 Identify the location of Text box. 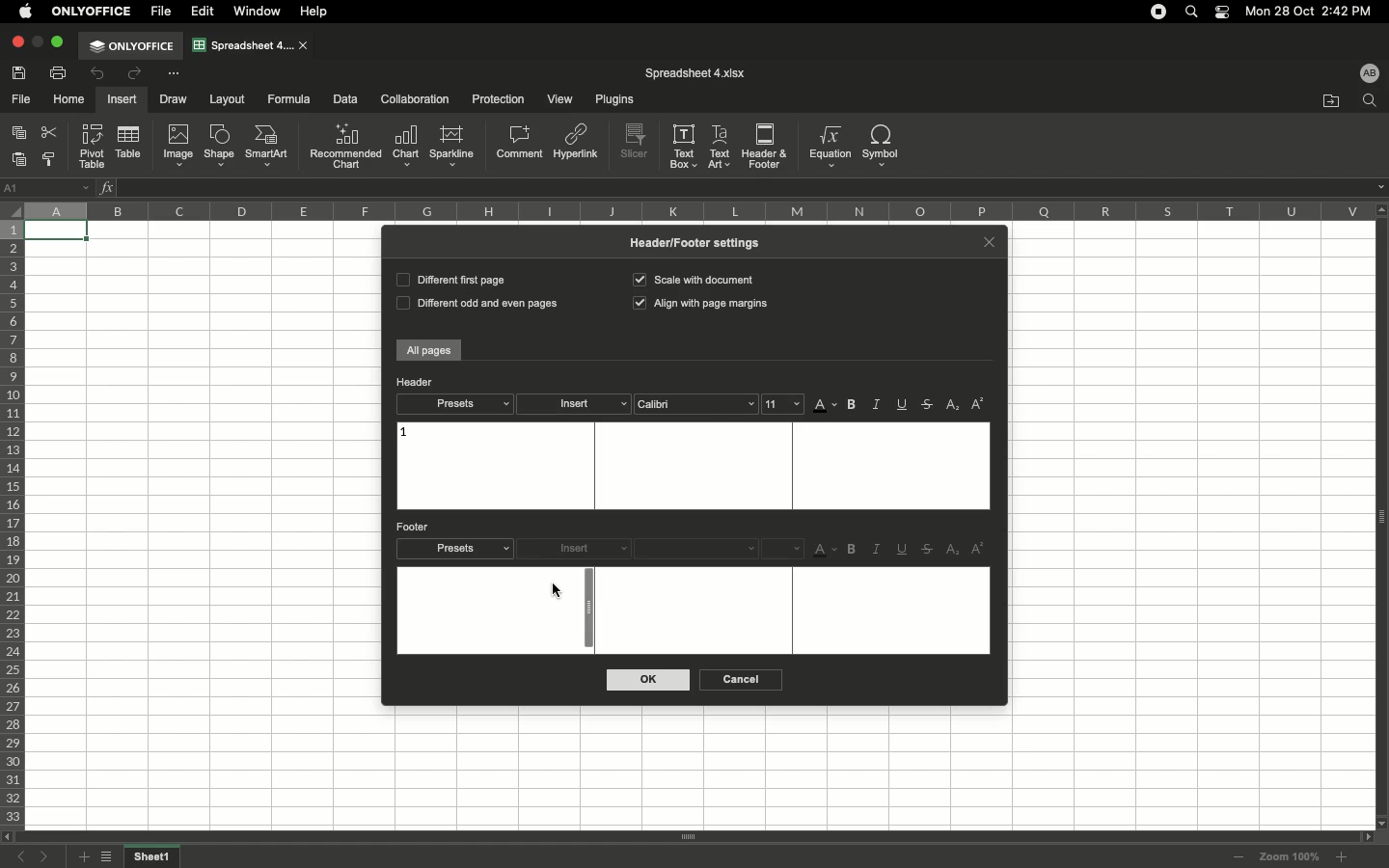
(694, 610).